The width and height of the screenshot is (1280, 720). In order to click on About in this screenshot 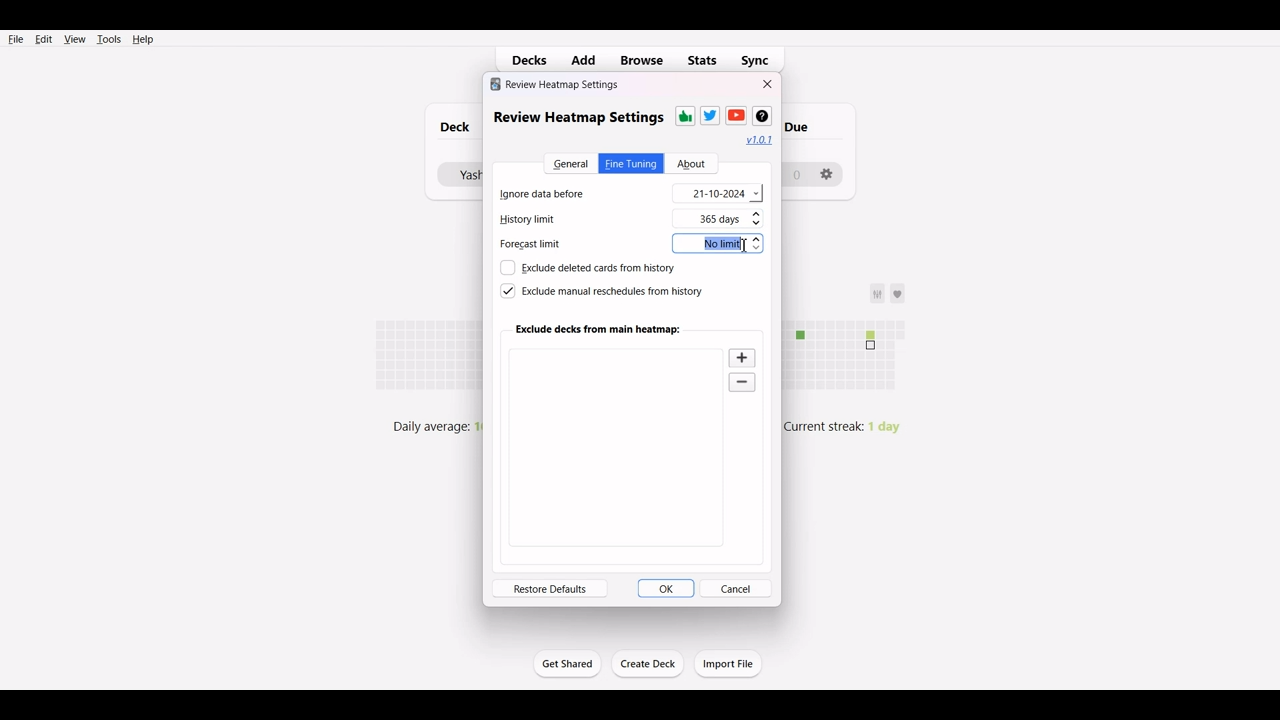, I will do `click(691, 164)`.